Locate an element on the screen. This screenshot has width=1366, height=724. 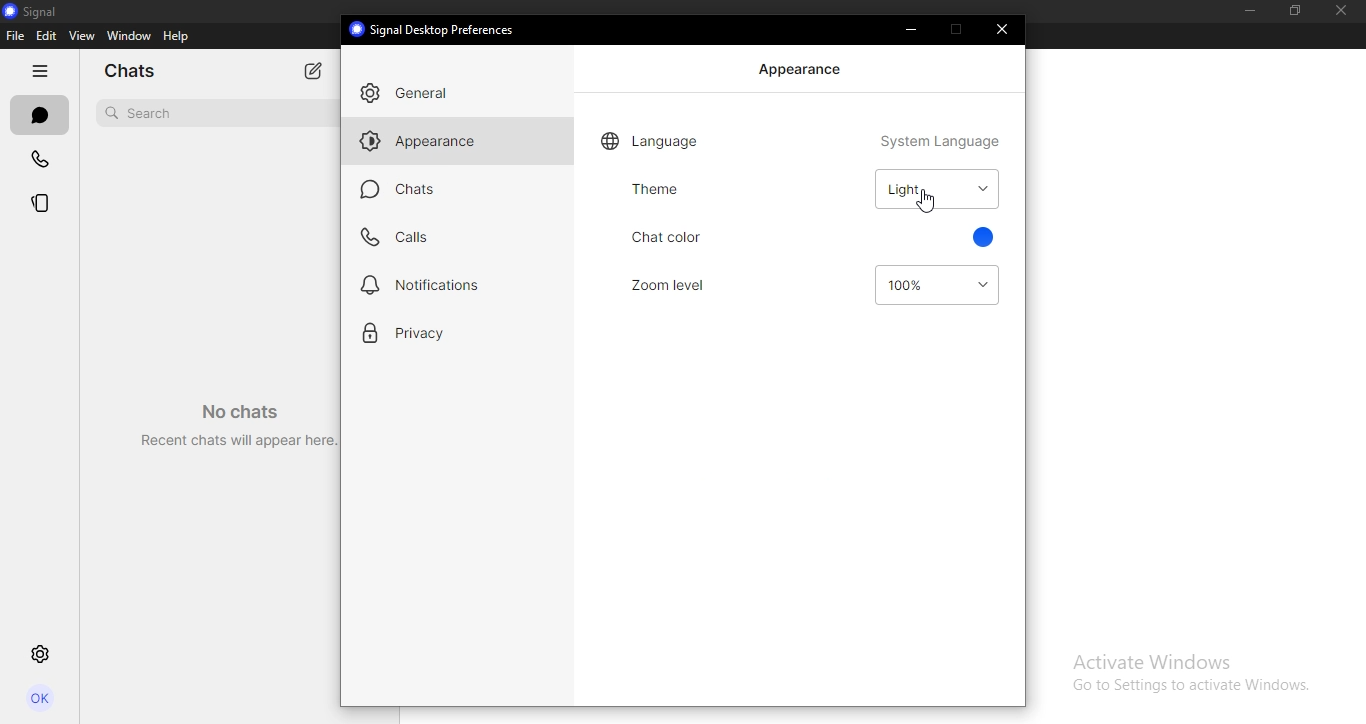
privacy is located at coordinates (424, 333).